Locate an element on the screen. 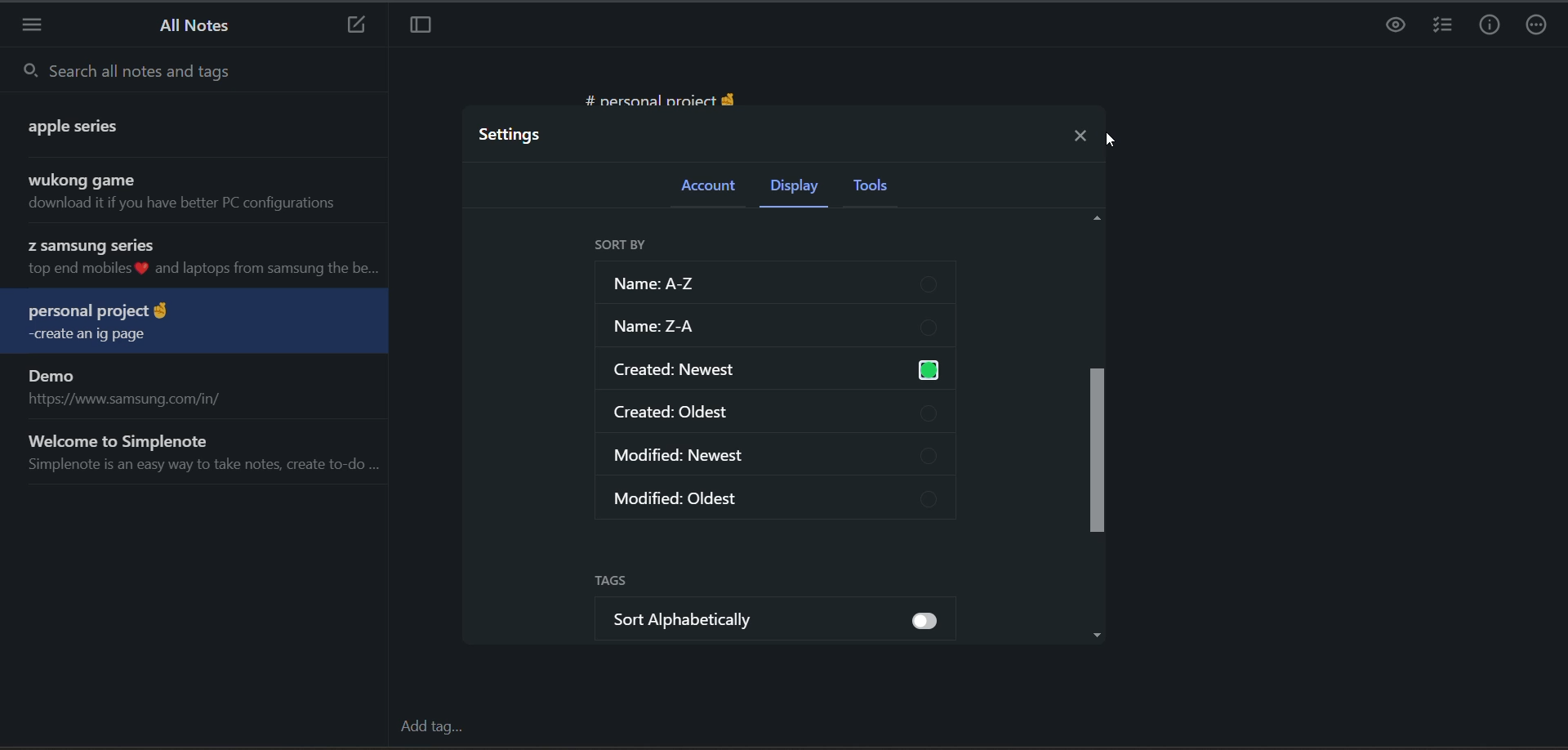 The width and height of the screenshot is (1568, 750). modified oldest is located at coordinates (779, 497).